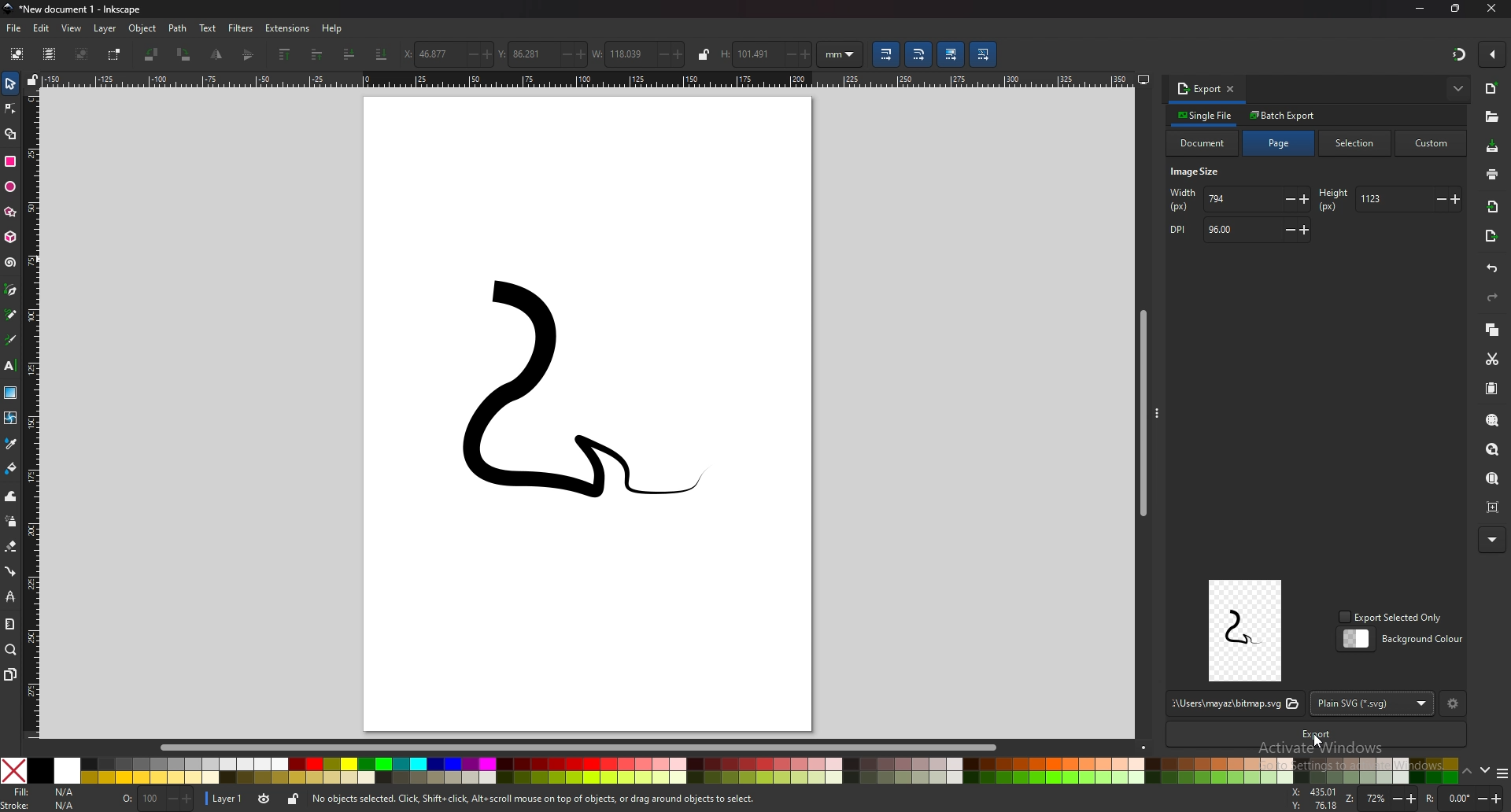  Describe the element at coordinates (16, 54) in the screenshot. I see `select all objects` at that location.